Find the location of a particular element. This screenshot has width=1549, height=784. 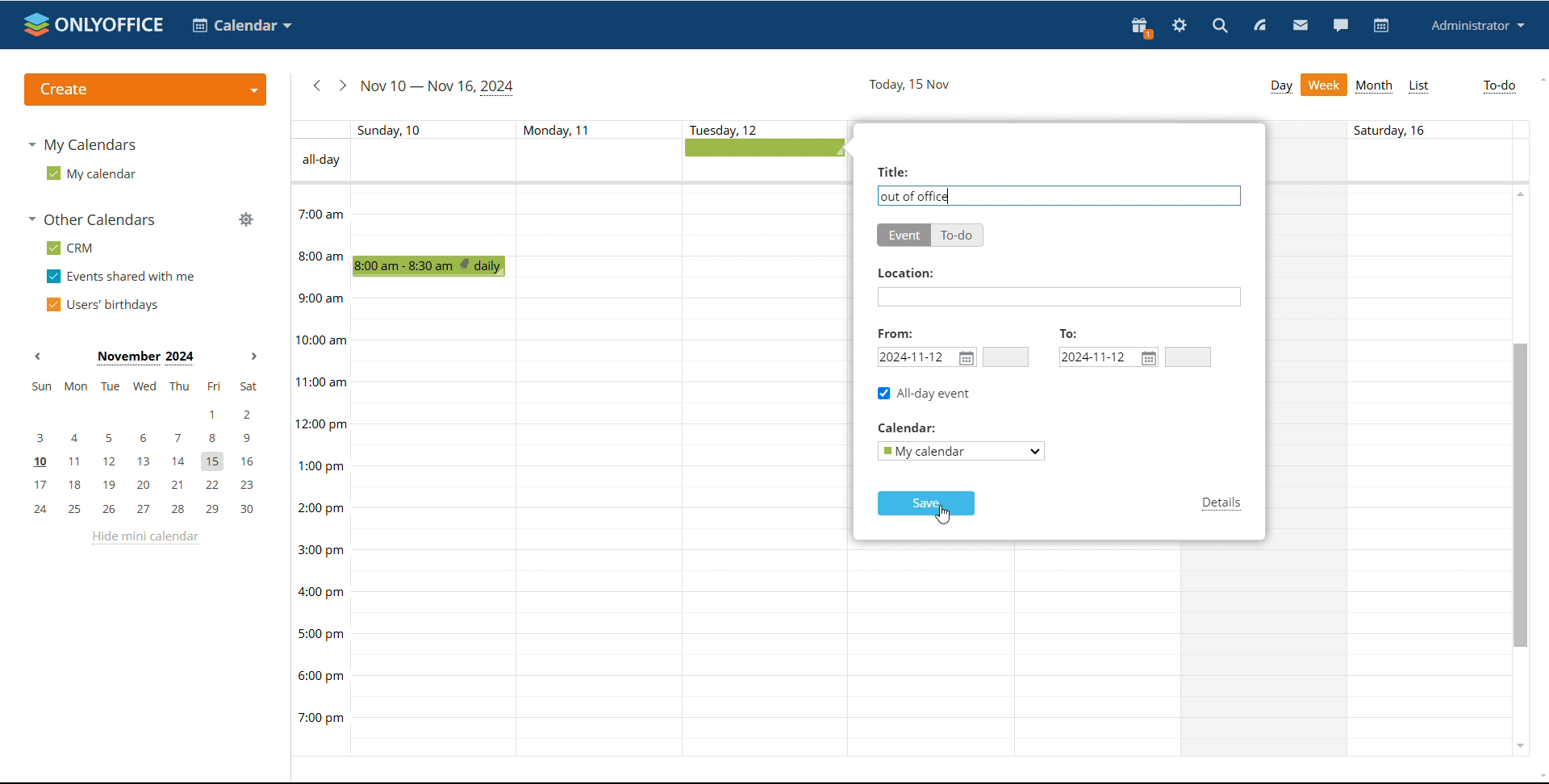

my calendar is located at coordinates (91, 173).